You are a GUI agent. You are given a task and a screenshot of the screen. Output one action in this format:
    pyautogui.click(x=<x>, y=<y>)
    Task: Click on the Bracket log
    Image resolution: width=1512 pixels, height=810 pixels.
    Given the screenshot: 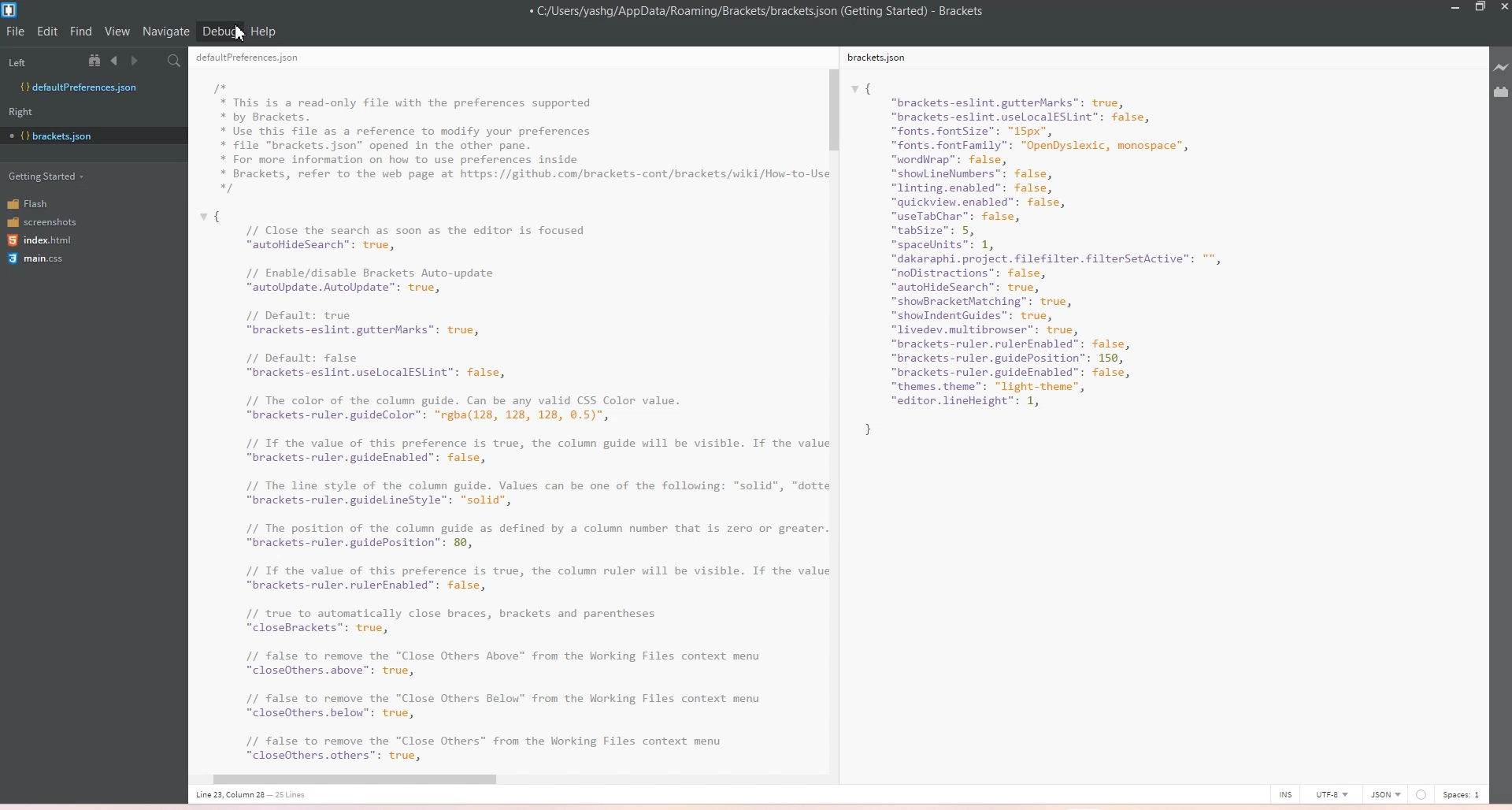 What is the action you would take?
    pyautogui.click(x=11, y=10)
    